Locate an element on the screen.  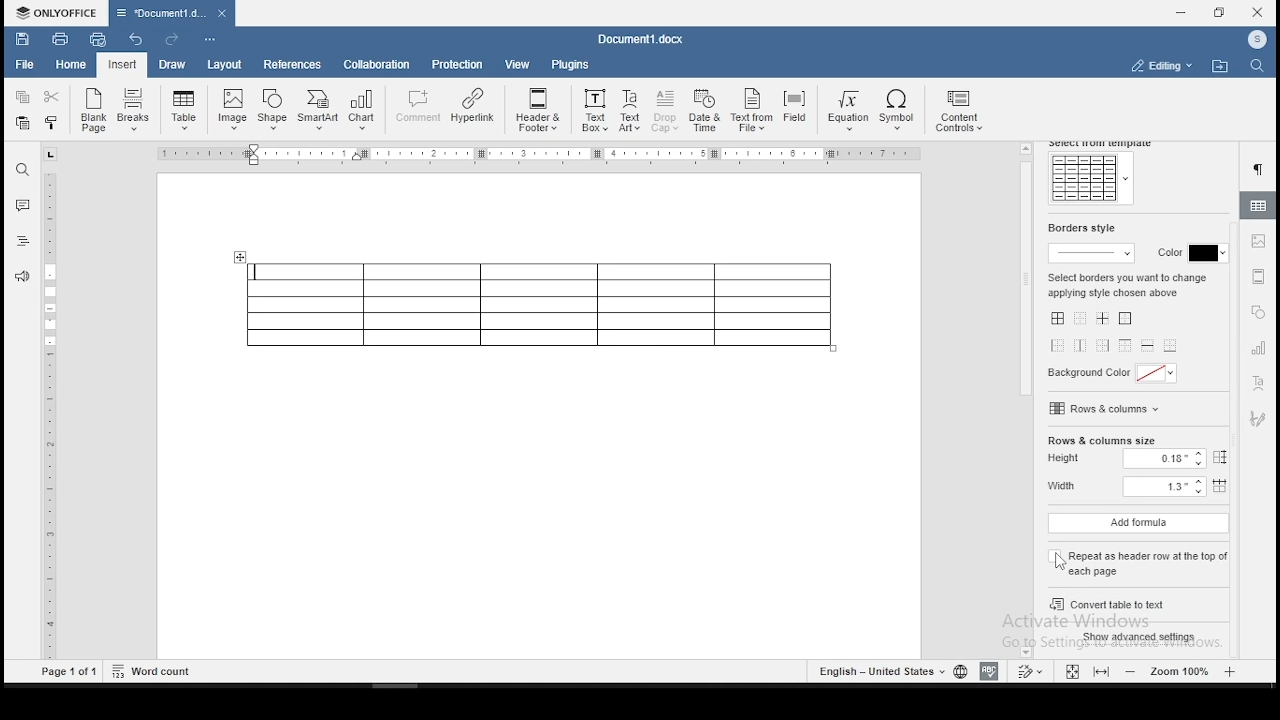
inner horizontal lines only is located at coordinates (1147, 347).